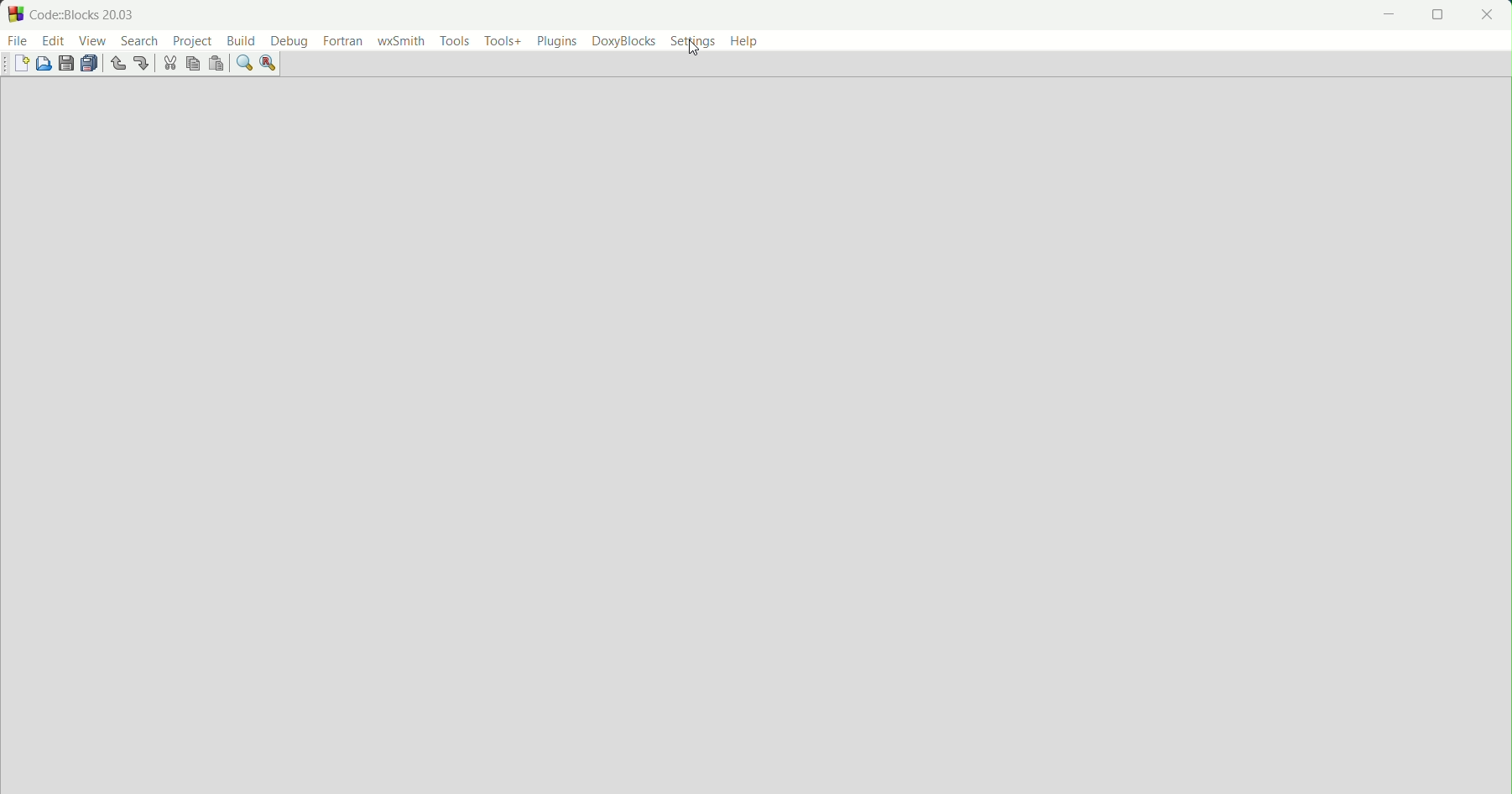 The image size is (1512, 794). What do you see at coordinates (269, 64) in the screenshot?
I see `find and replace` at bounding box center [269, 64].